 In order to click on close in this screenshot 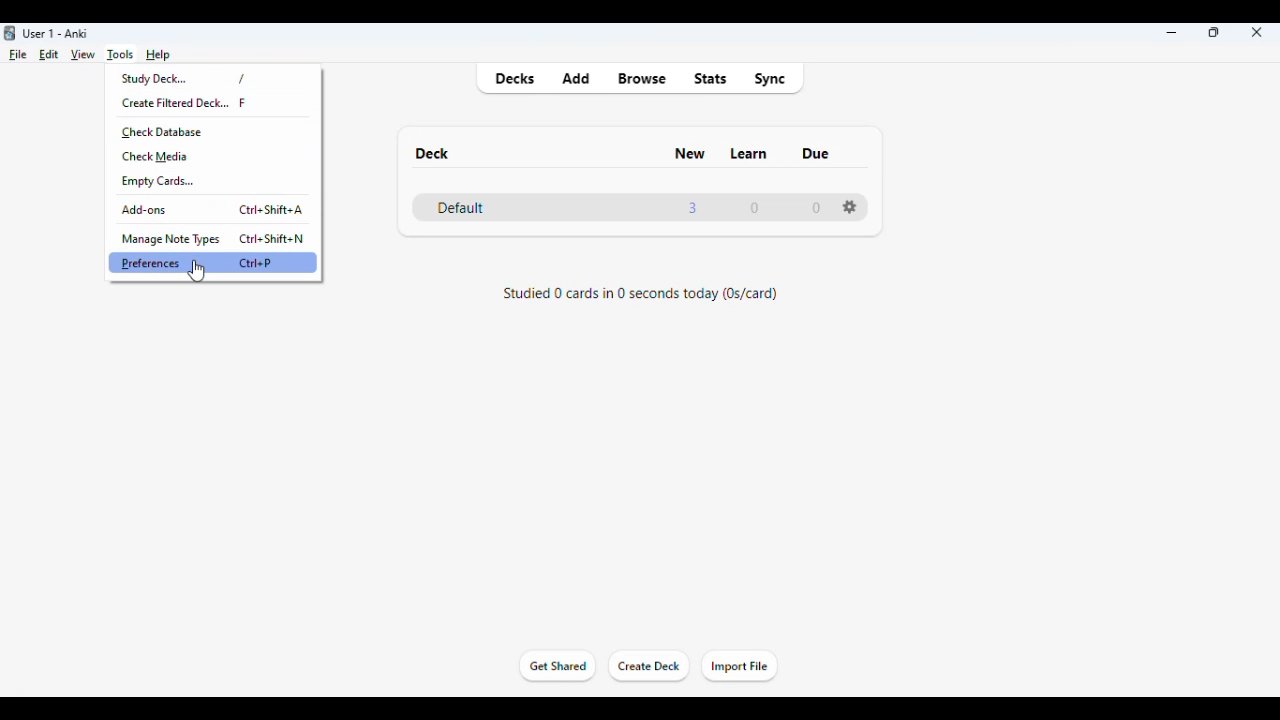, I will do `click(1257, 32)`.